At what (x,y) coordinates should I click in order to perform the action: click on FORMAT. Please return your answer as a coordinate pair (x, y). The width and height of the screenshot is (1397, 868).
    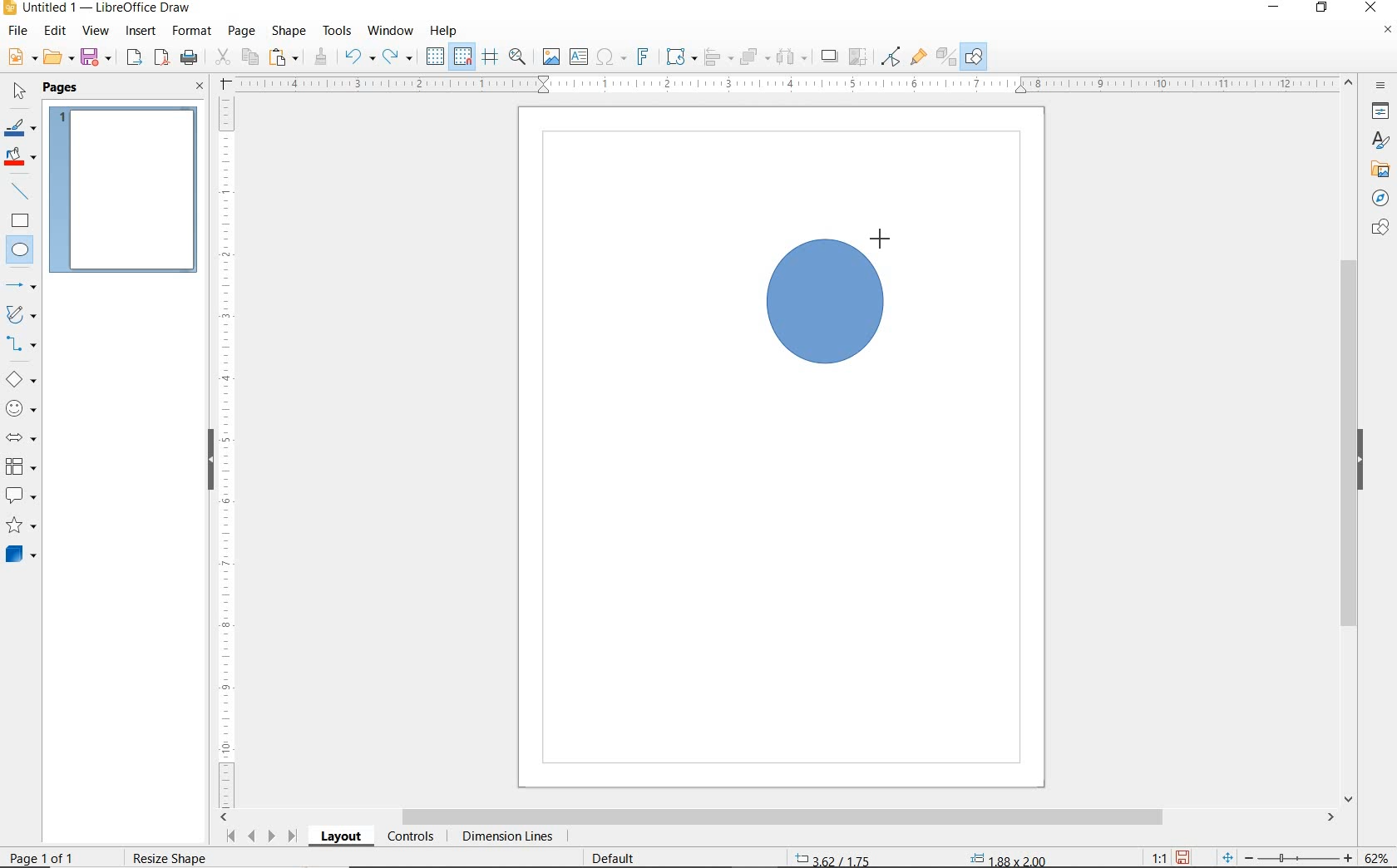
    Looking at the image, I should click on (193, 31).